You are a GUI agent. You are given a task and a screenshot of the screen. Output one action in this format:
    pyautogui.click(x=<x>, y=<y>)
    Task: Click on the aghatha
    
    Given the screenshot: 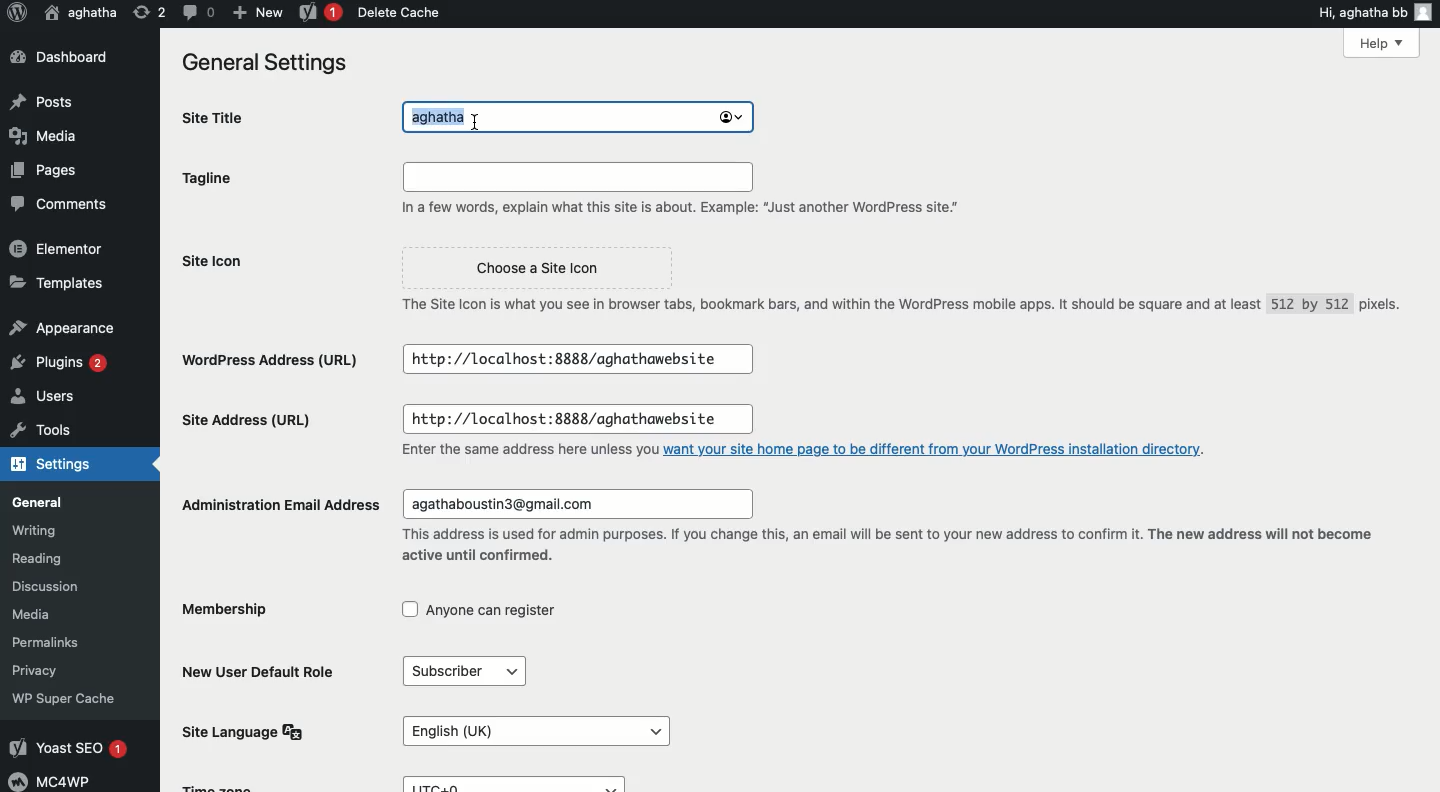 What is the action you would take?
    pyautogui.click(x=572, y=118)
    